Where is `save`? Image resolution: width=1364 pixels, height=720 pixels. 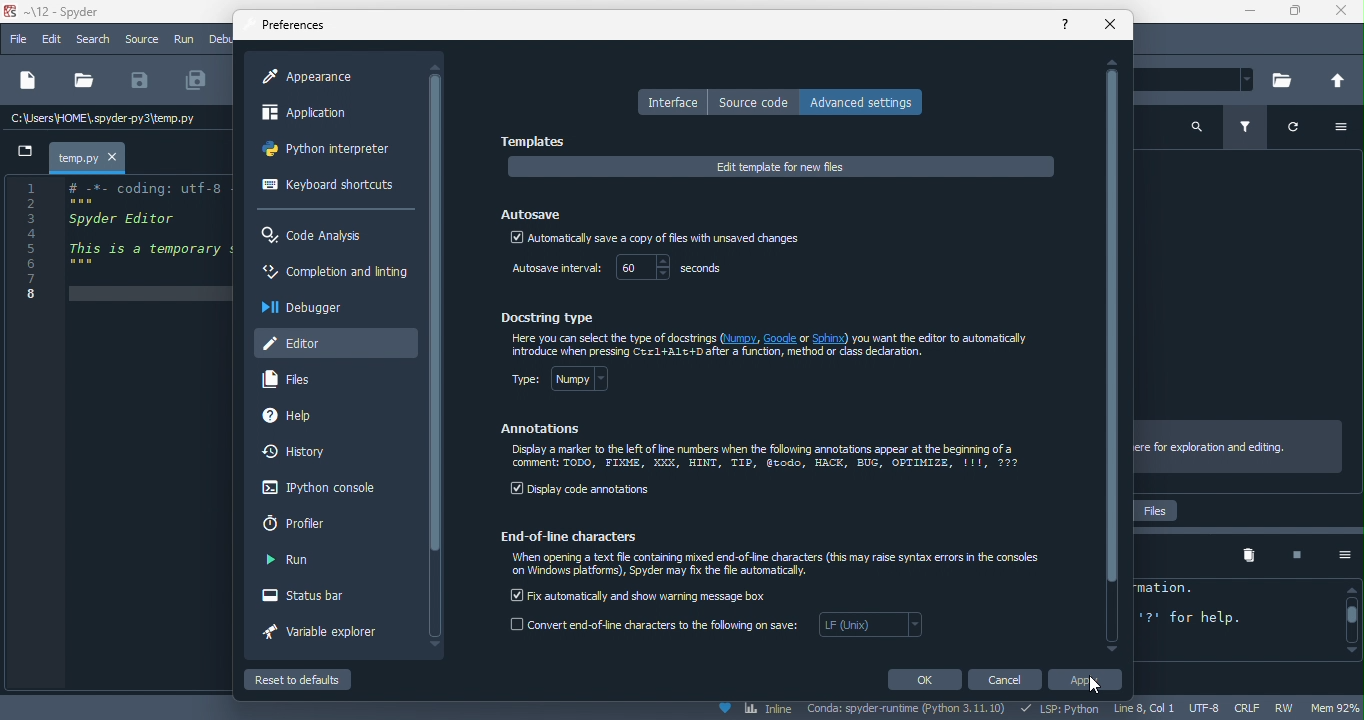
save is located at coordinates (140, 81).